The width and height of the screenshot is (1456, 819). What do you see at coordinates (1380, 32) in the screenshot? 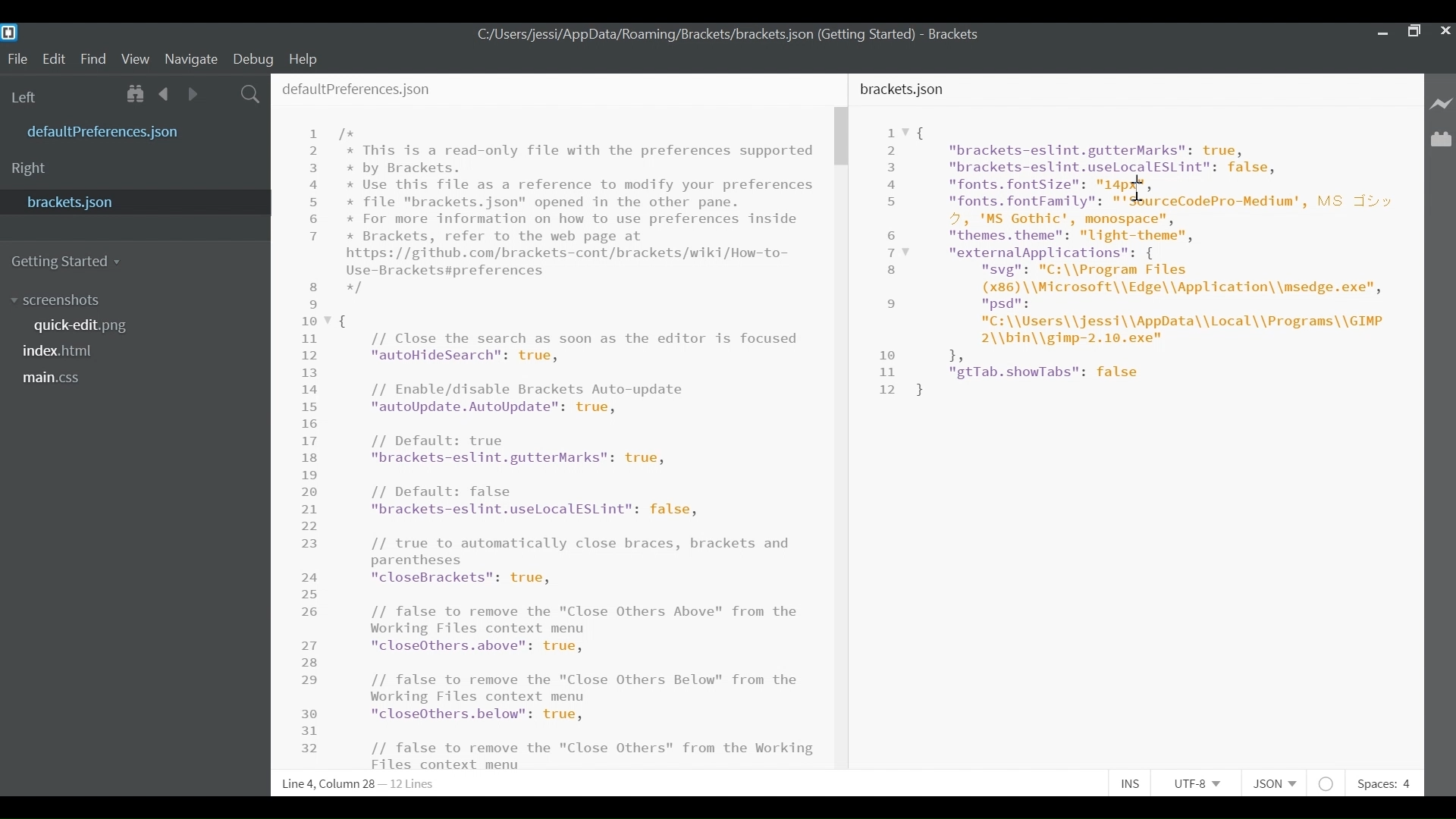
I see `minimize` at bounding box center [1380, 32].